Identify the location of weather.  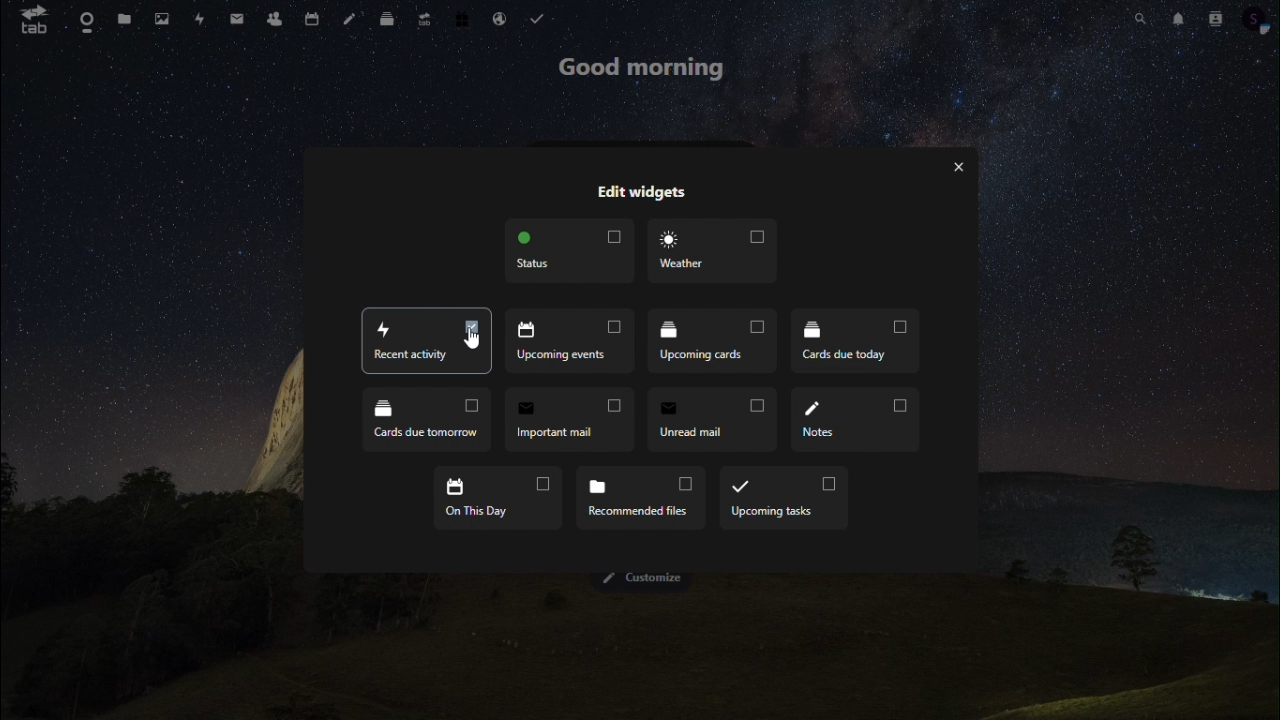
(716, 256).